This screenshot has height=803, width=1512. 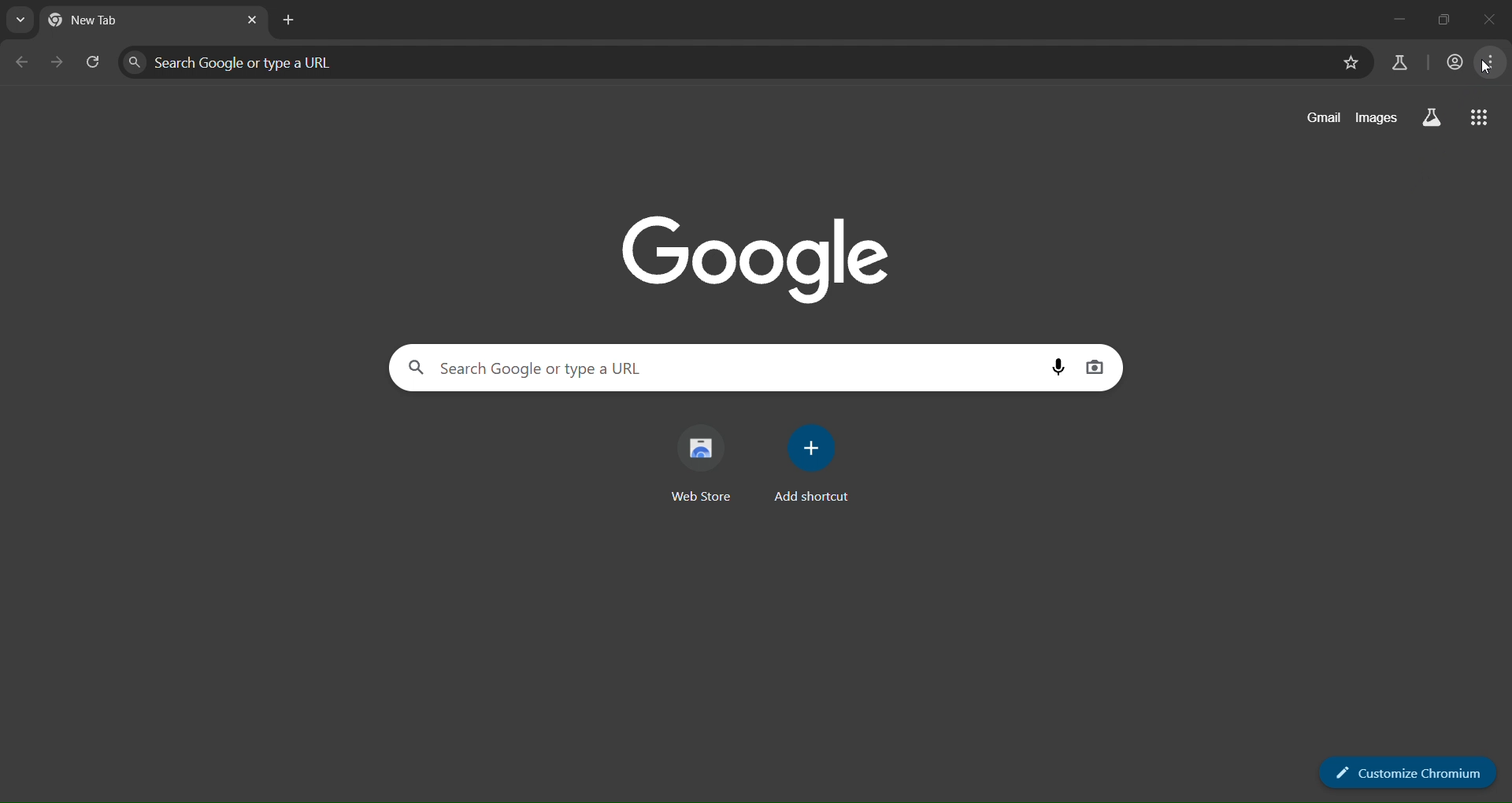 I want to click on gmail, so click(x=1323, y=117).